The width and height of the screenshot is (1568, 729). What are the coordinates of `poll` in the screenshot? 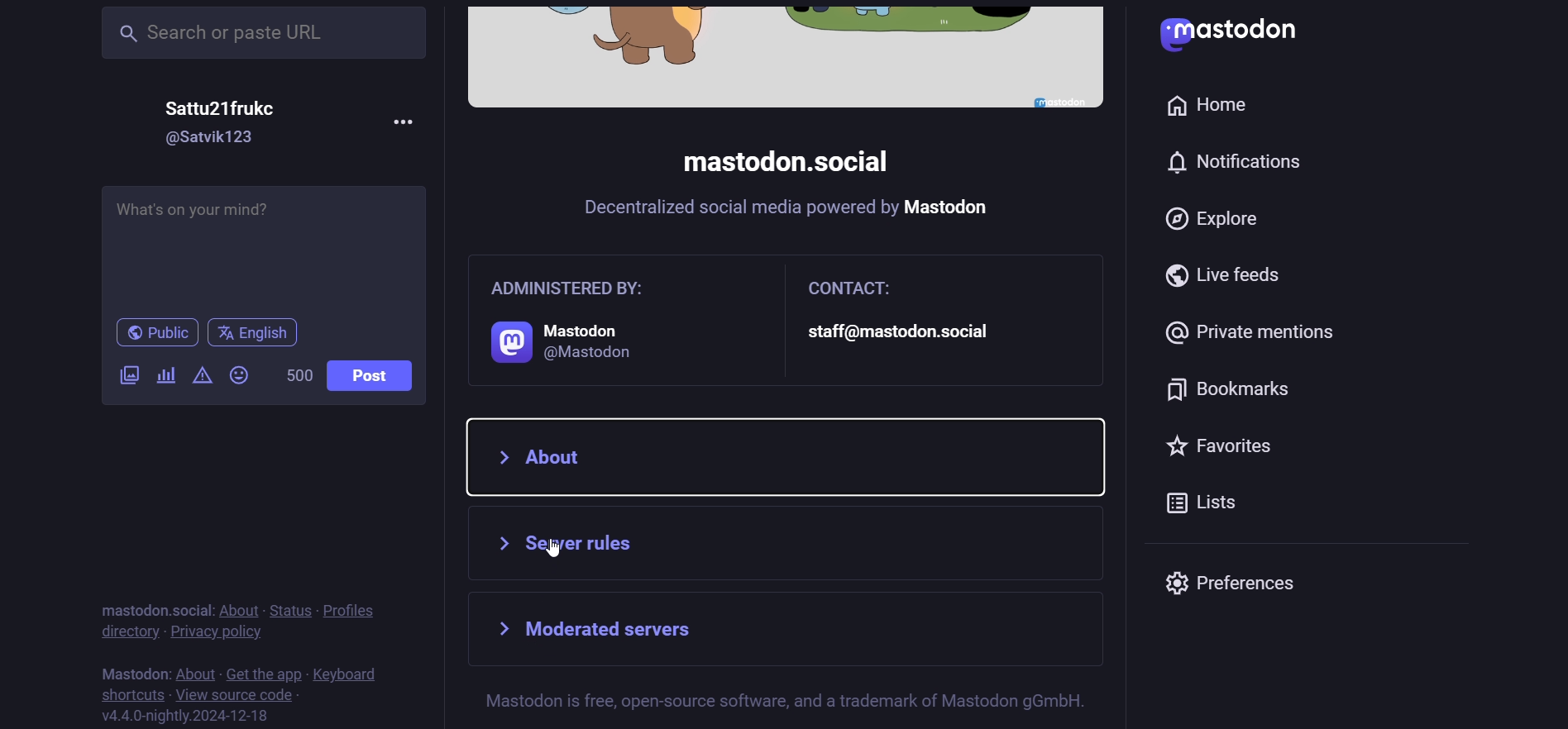 It's located at (165, 378).